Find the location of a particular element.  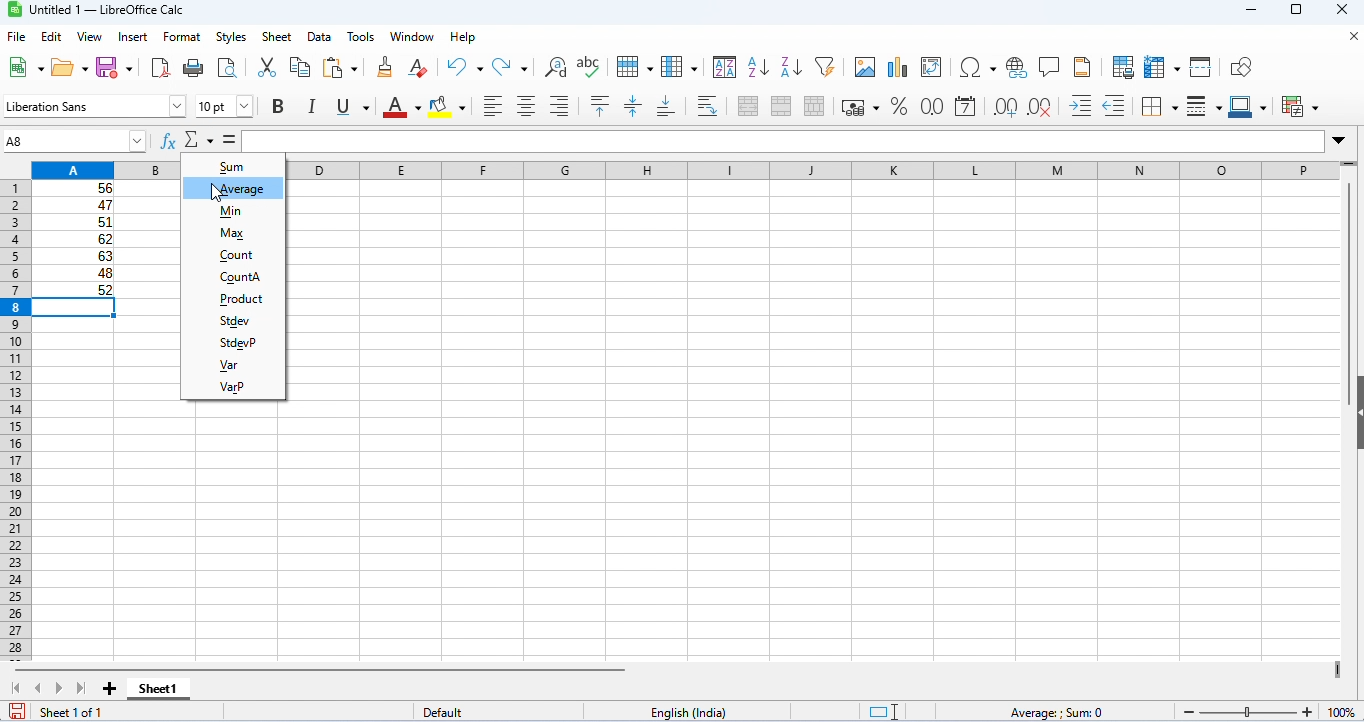

decrease indent is located at coordinates (1115, 106).